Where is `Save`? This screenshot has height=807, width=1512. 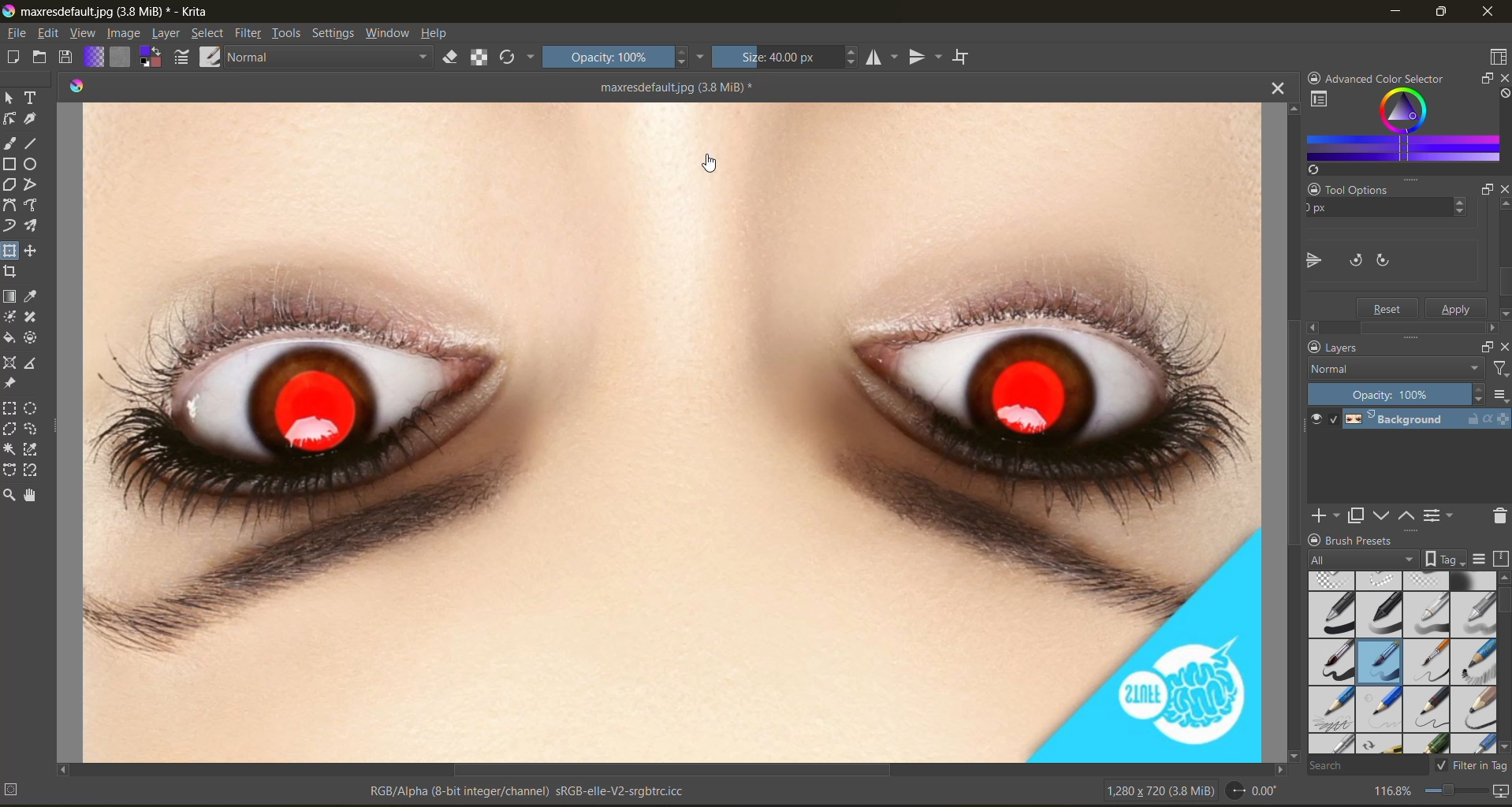 Save is located at coordinates (1388, 307).